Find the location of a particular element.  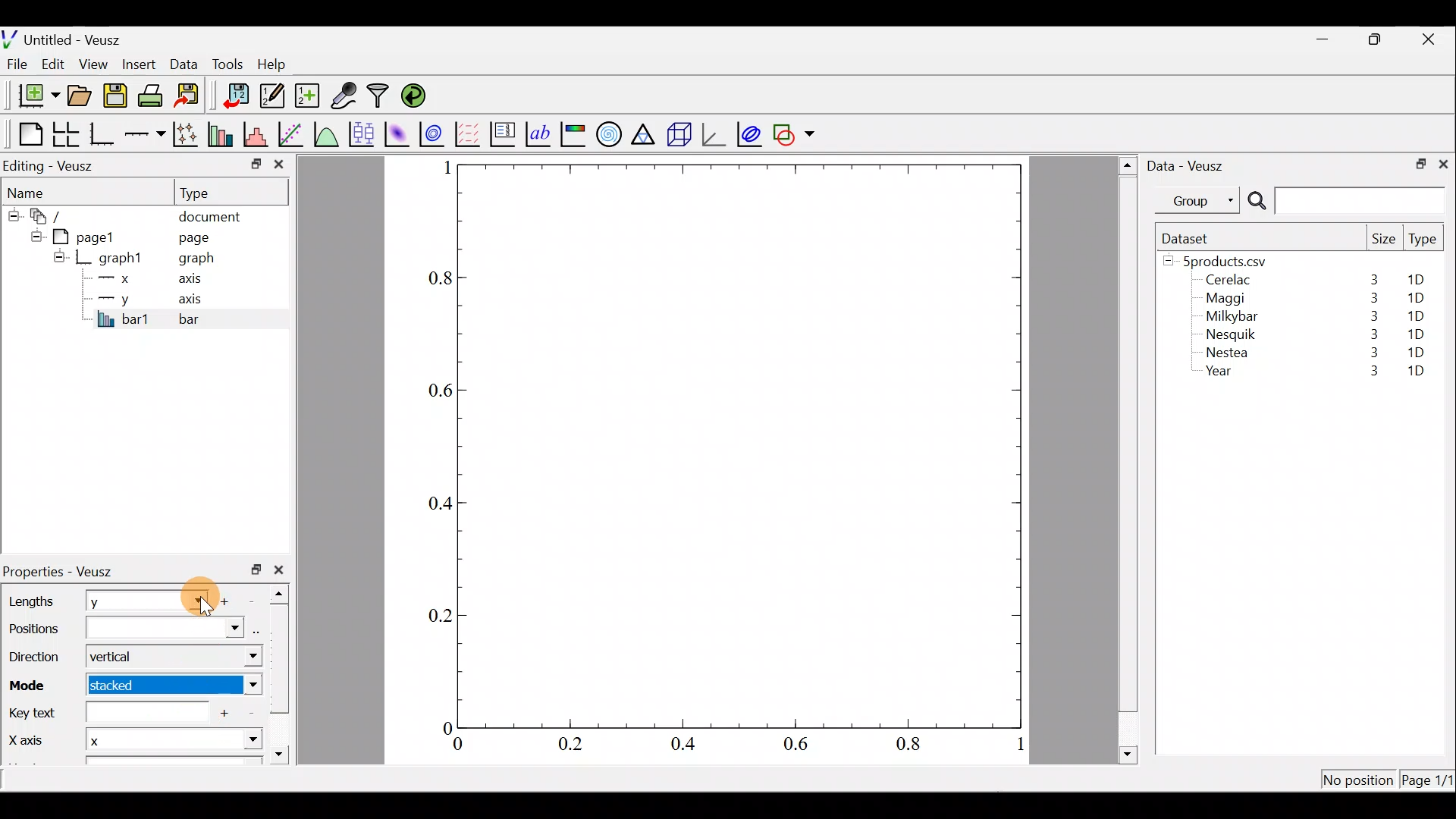

Remove item is located at coordinates (251, 714).